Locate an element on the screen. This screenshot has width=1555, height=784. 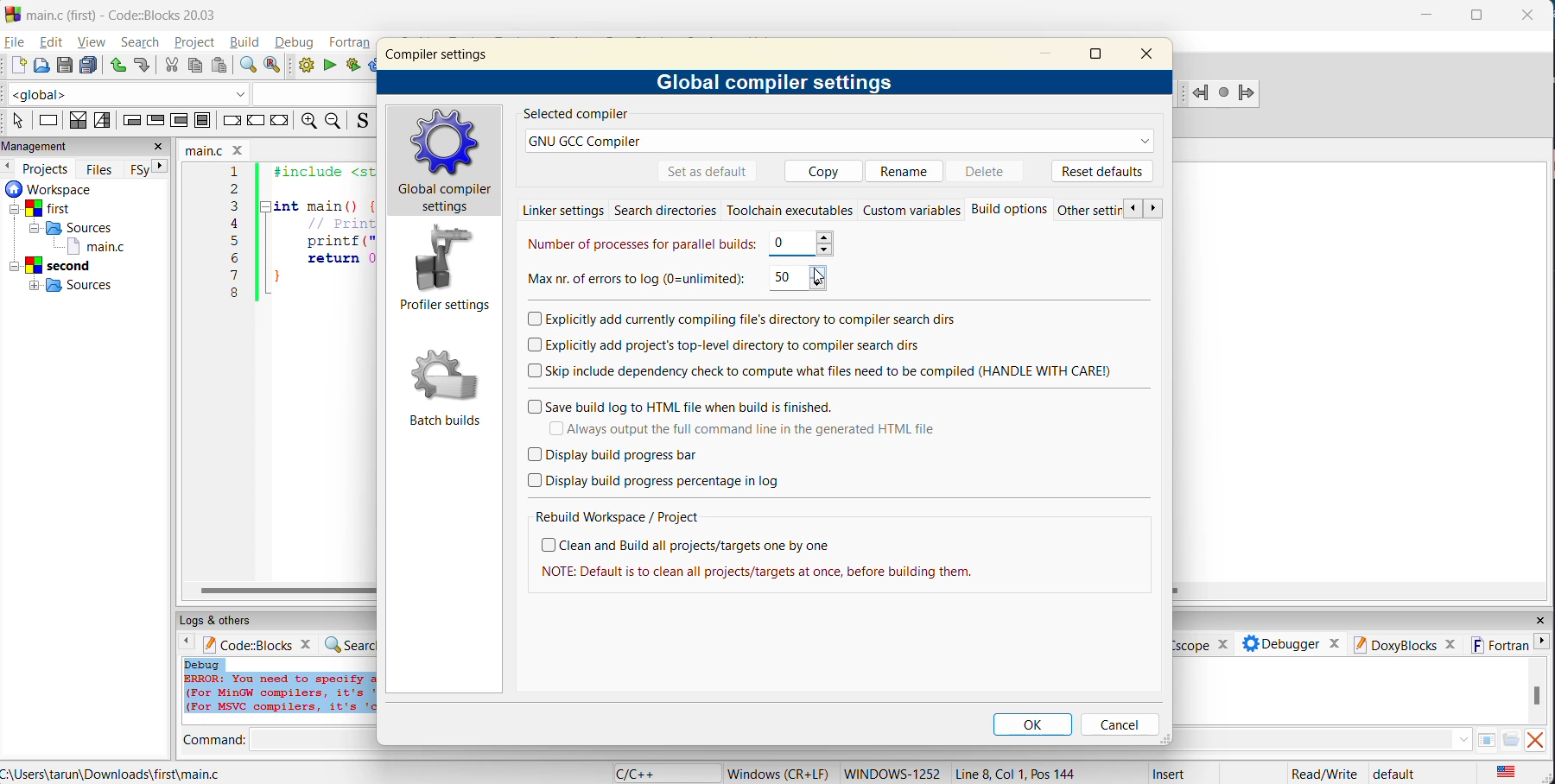
next is located at coordinates (1152, 210).